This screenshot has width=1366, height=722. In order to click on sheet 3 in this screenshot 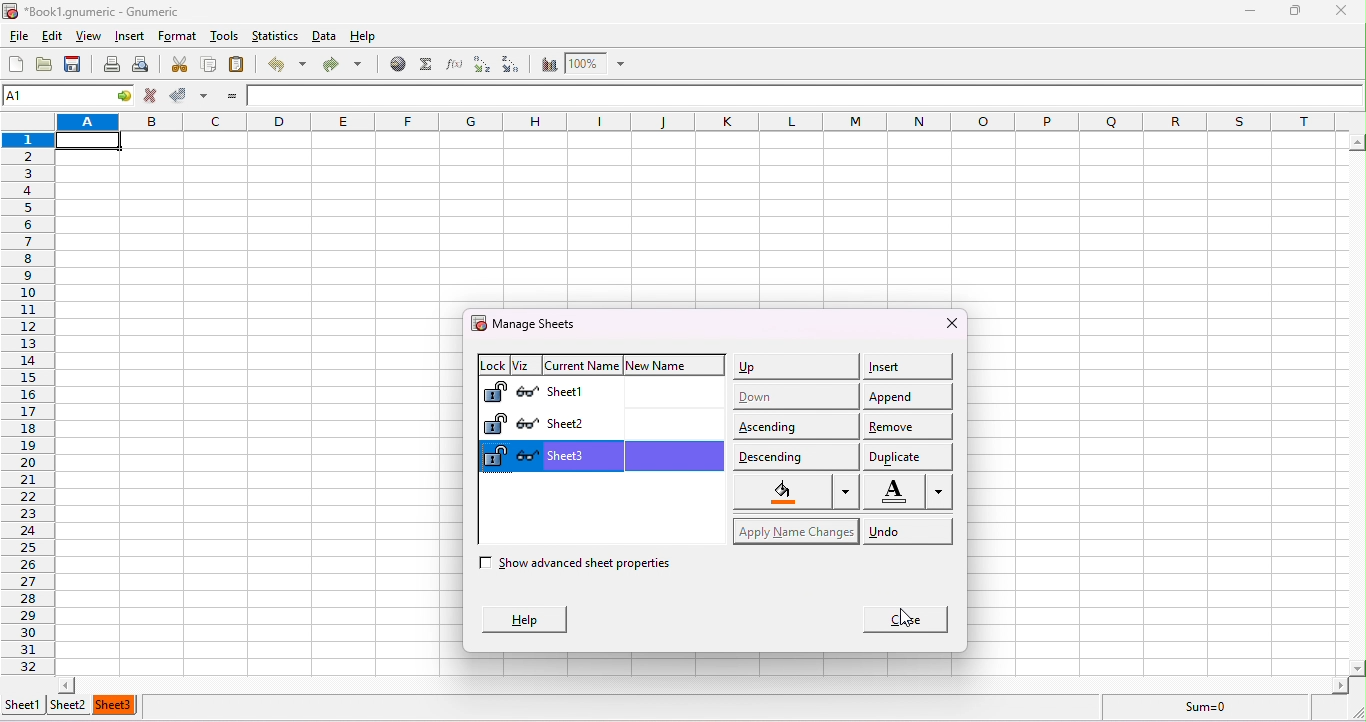, I will do `click(117, 705)`.